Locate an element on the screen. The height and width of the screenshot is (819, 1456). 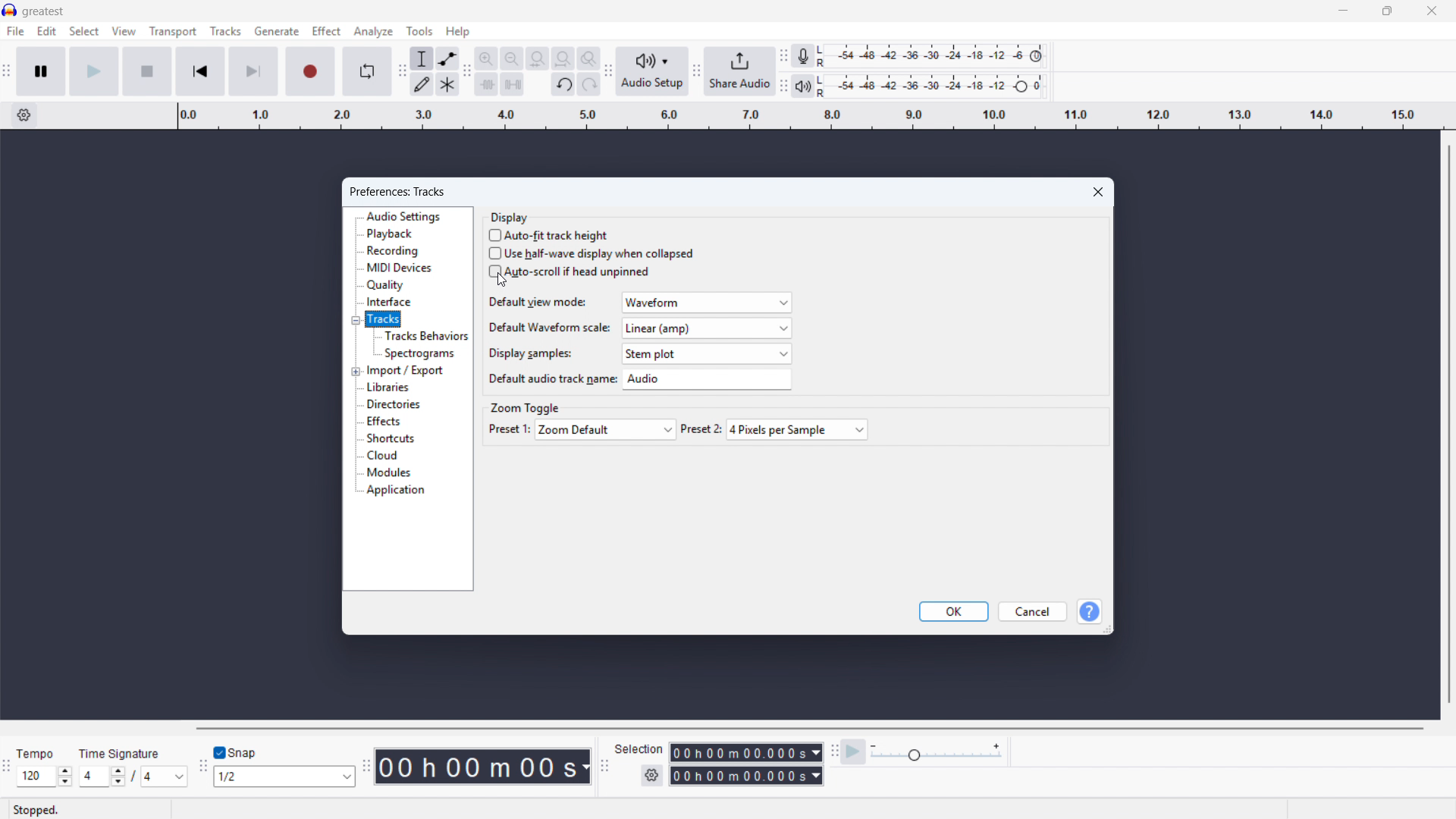
Snapping toolbar  is located at coordinates (204, 767).